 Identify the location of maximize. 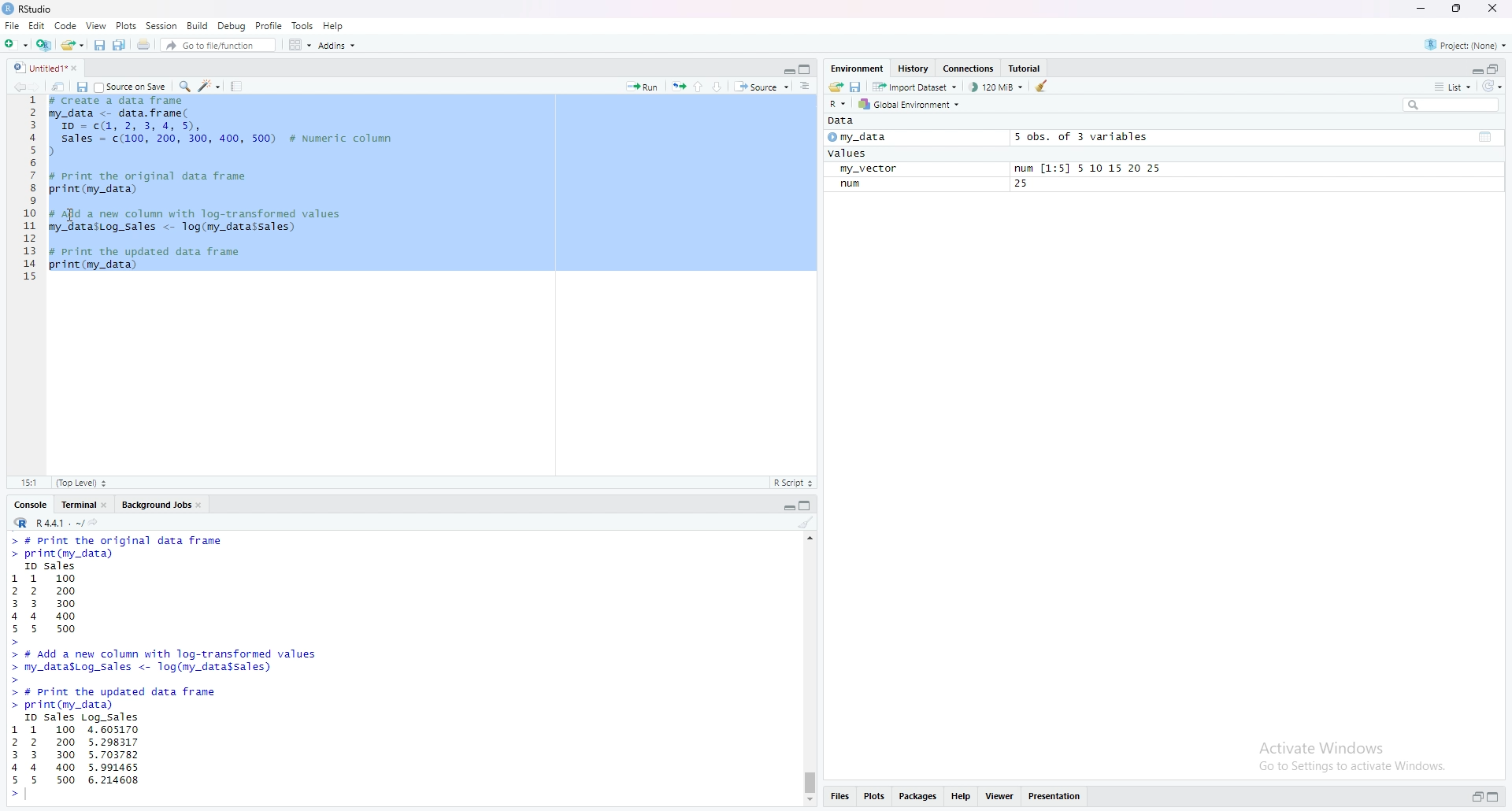
(1497, 794).